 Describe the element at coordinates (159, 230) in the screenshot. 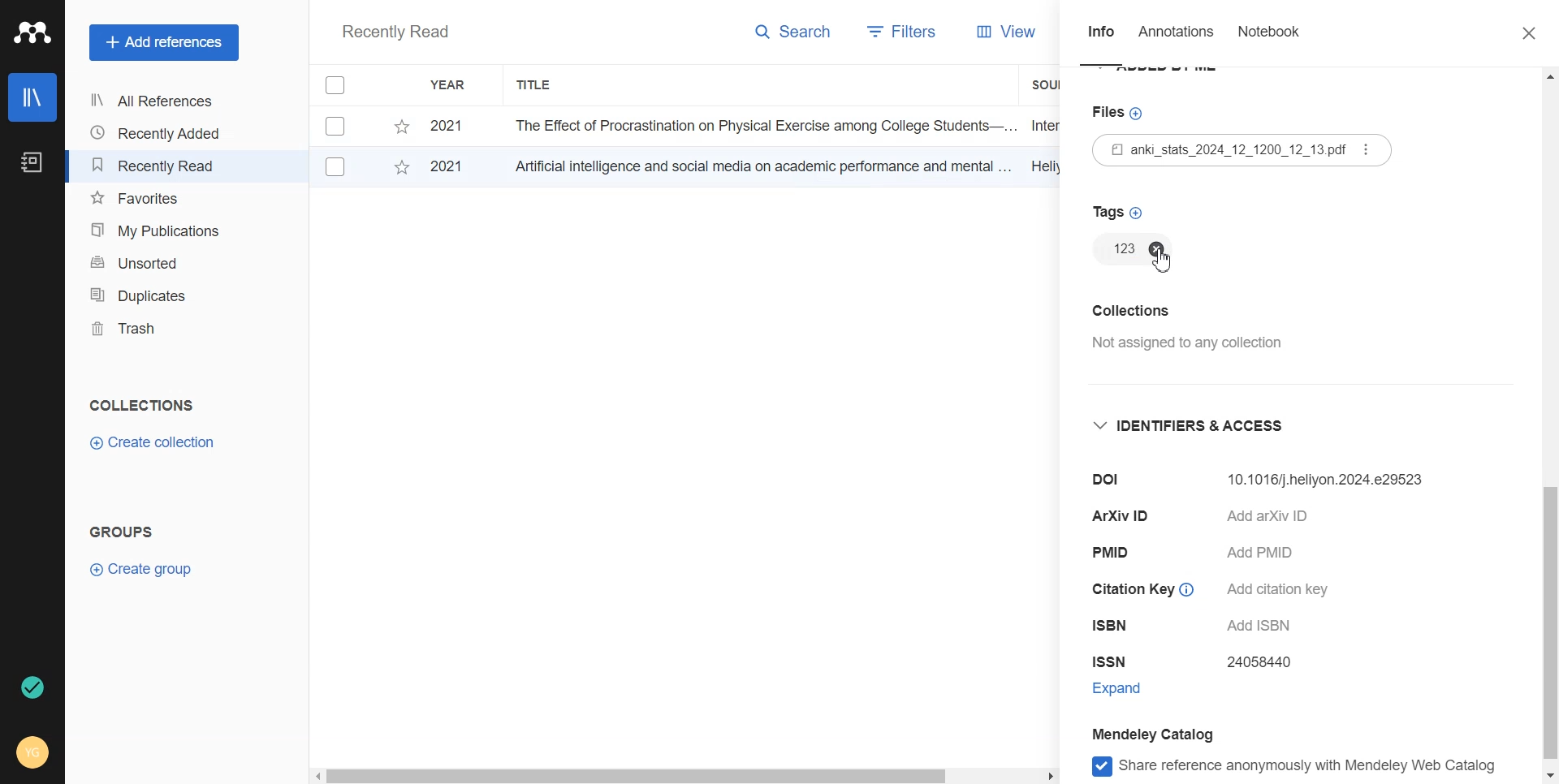

I see `My Publications` at that location.